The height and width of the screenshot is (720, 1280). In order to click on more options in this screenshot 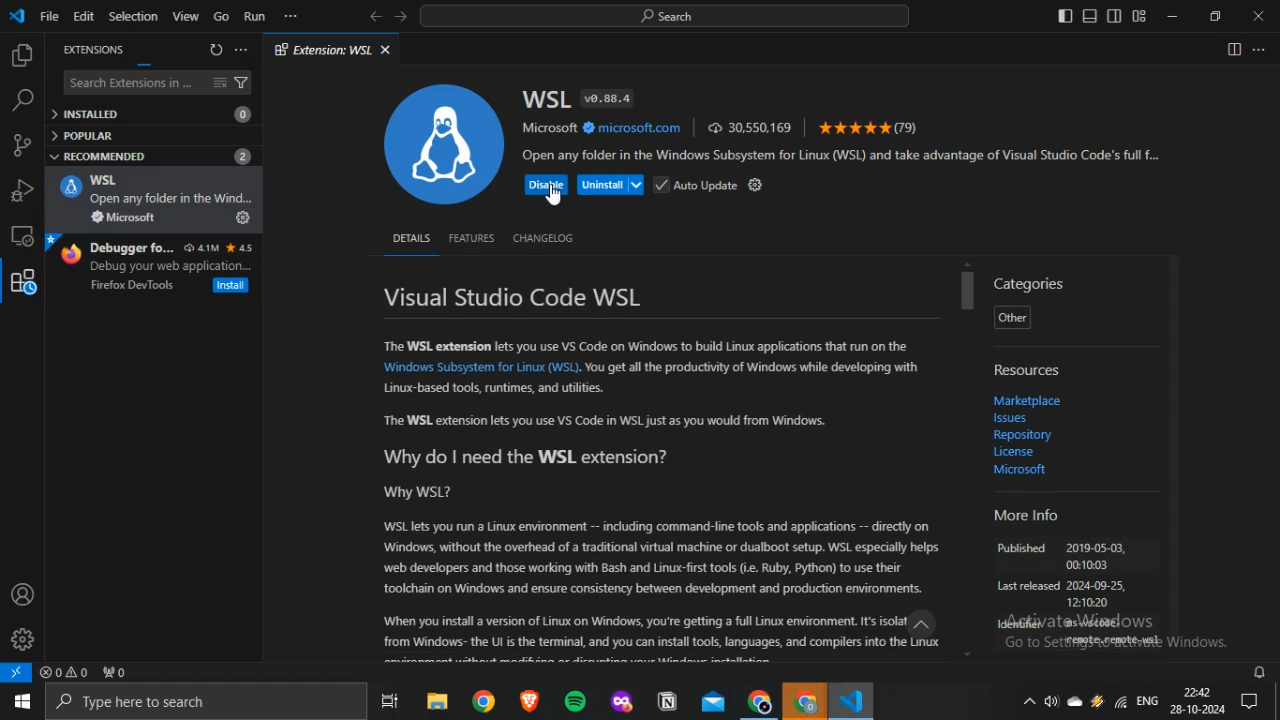, I will do `click(240, 49)`.